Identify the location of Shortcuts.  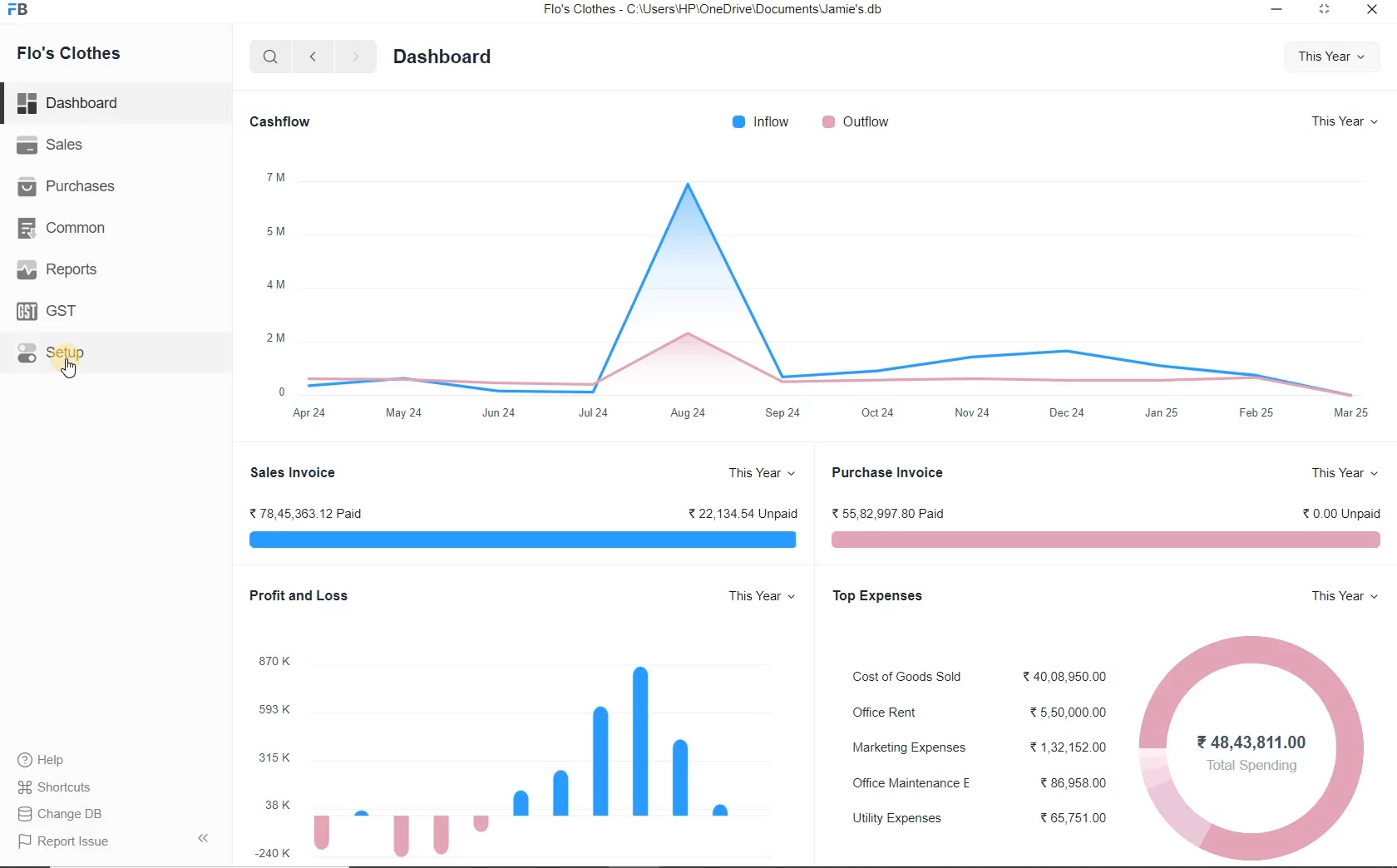
(116, 787).